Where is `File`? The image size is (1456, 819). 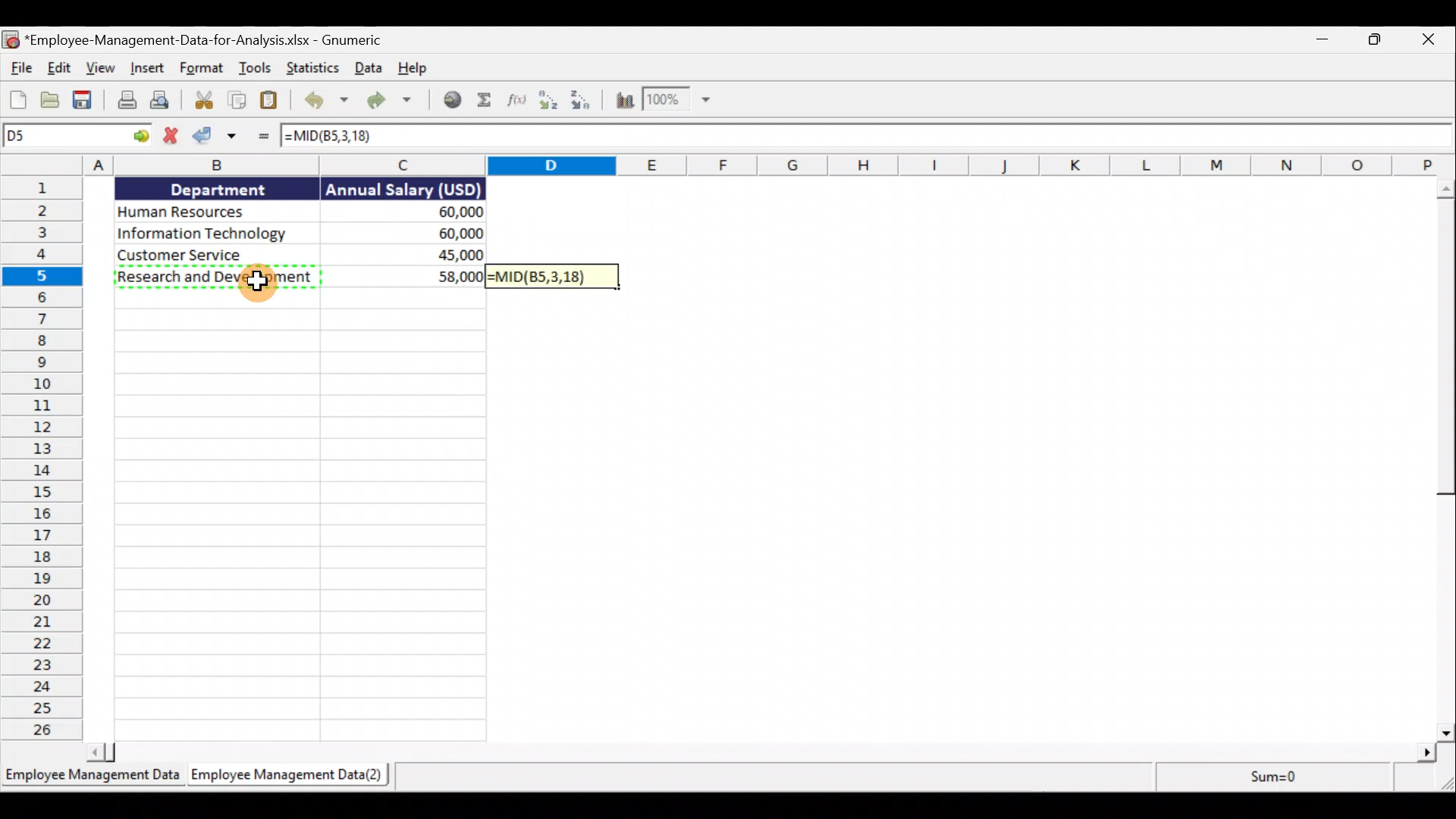 File is located at coordinates (19, 67).